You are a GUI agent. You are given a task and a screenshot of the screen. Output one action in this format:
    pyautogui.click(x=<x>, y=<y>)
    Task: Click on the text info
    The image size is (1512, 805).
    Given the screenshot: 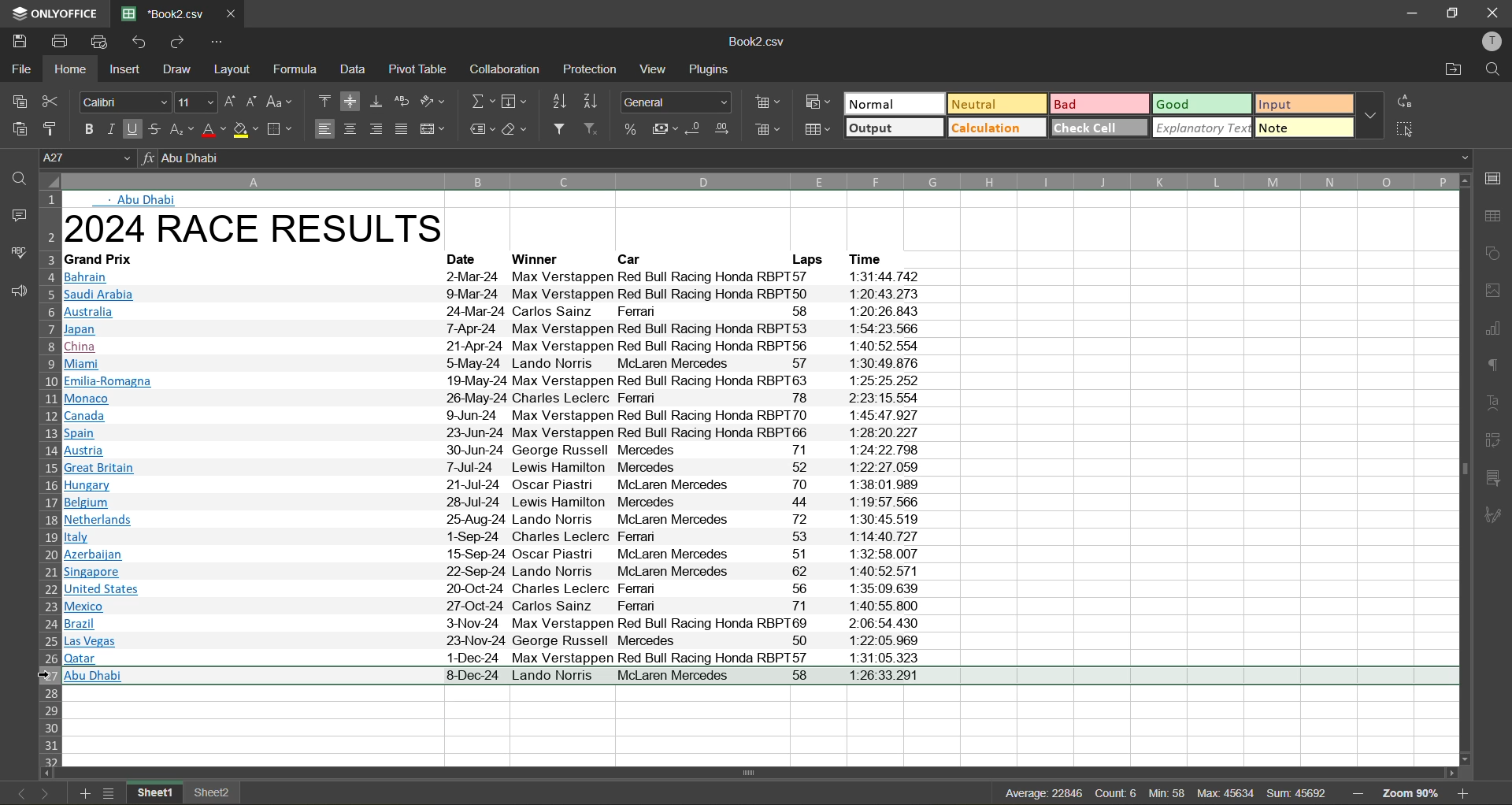 What is the action you would take?
    pyautogui.click(x=106, y=260)
    